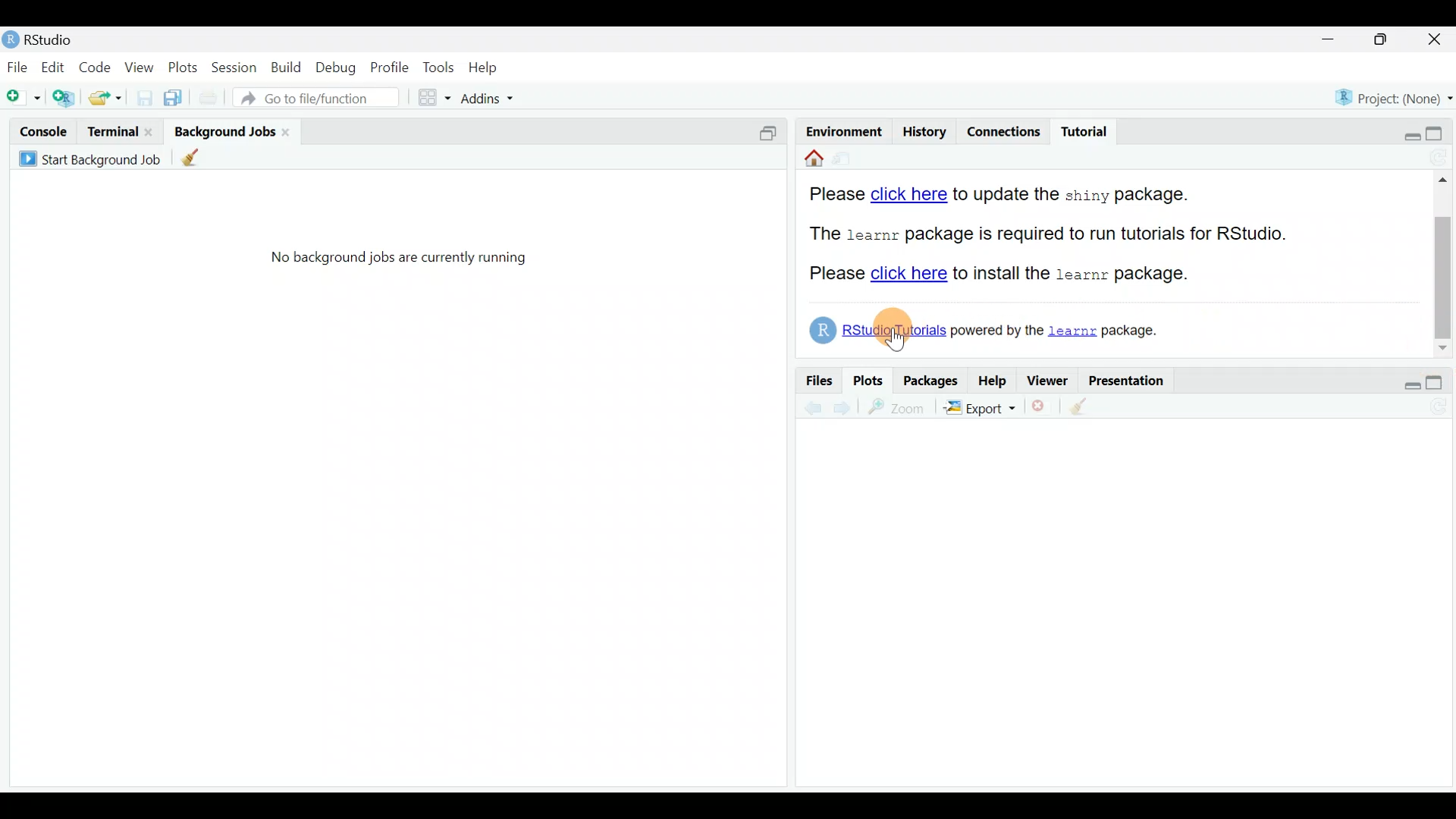  Describe the element at coordinates (1435, 158) in the screenshot. I see `Refresh tutorial` at that location.